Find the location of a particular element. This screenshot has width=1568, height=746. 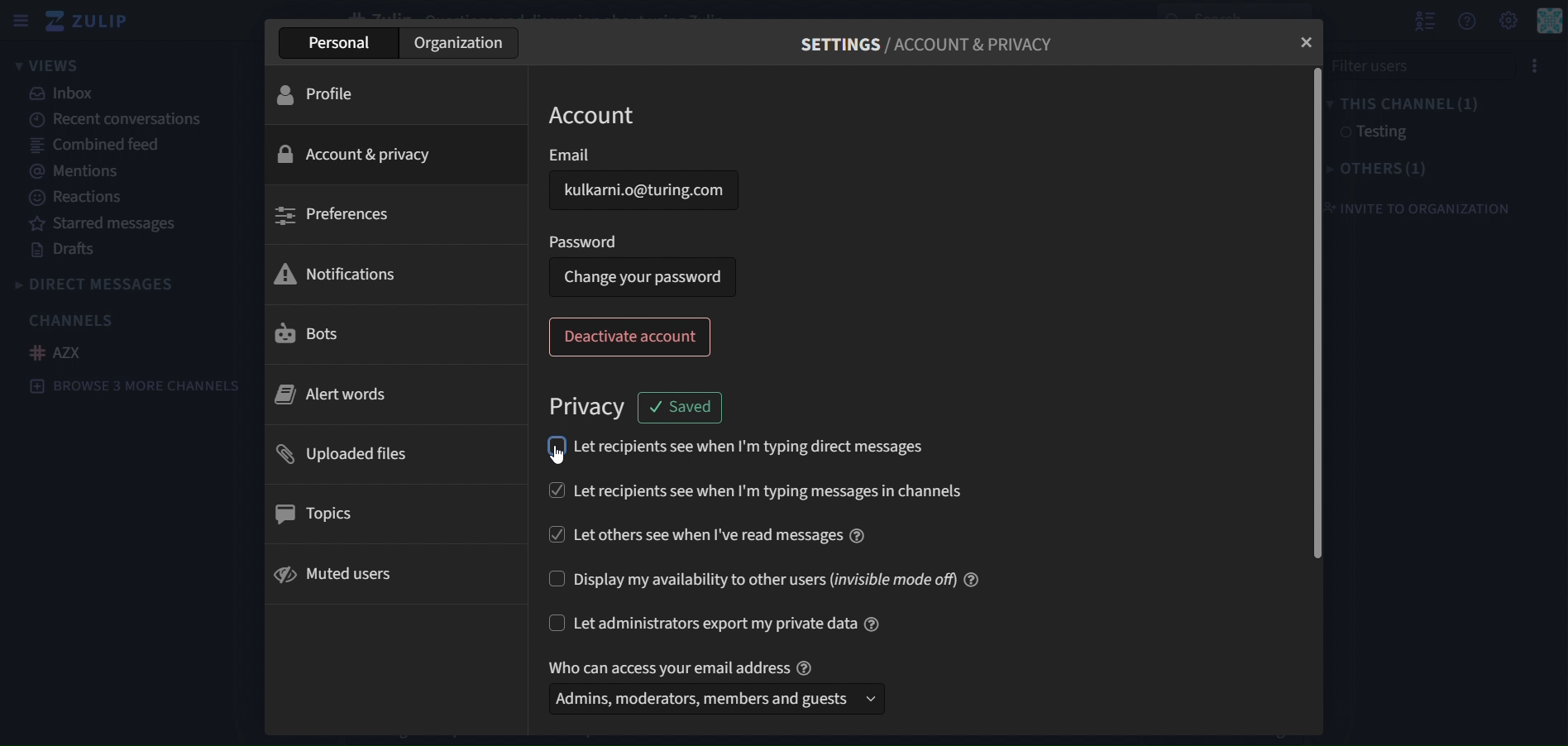

zulip is located at coordinates (87, 21).